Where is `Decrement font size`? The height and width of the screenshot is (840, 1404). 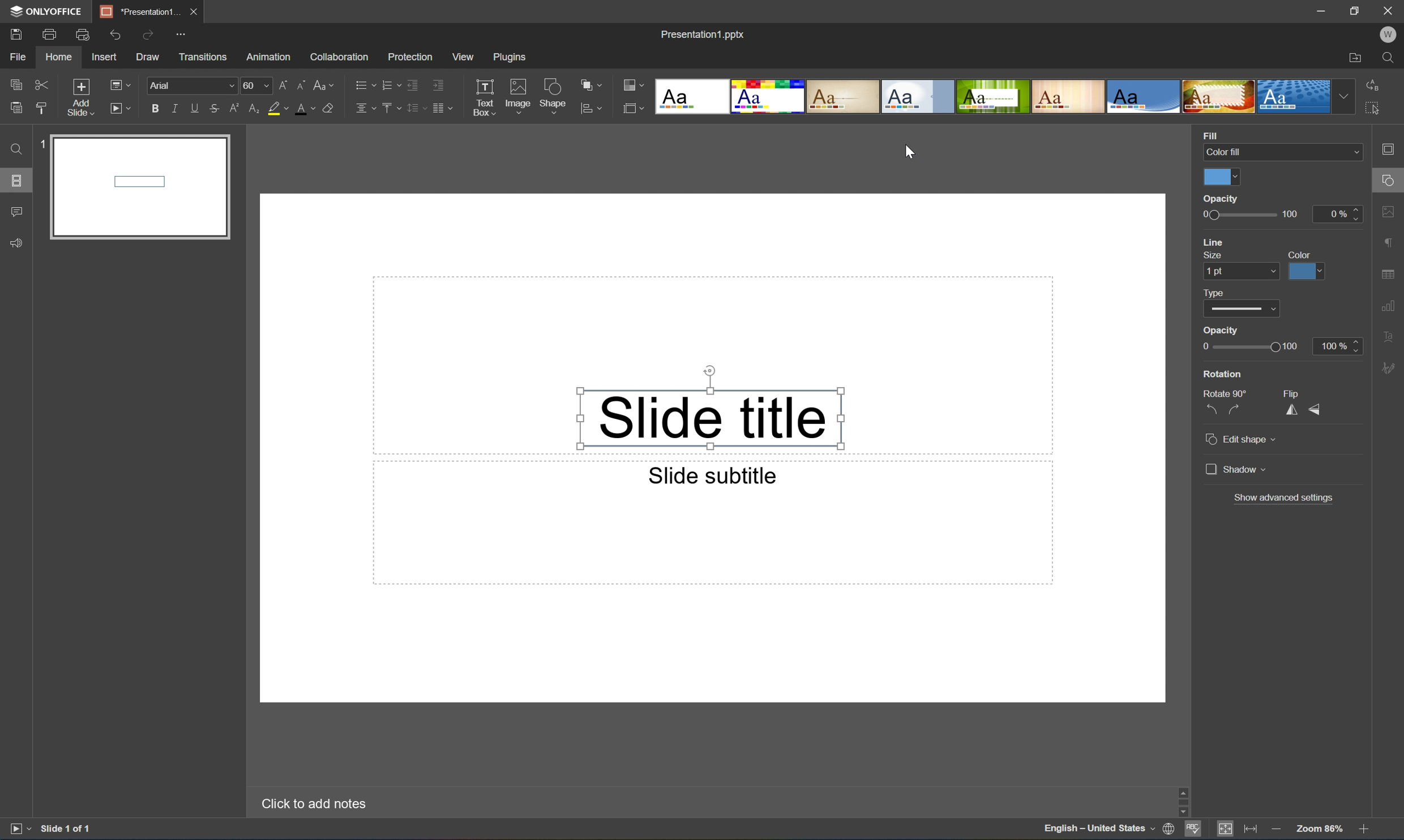
Decrement font size is located at coordinates (301, 84).